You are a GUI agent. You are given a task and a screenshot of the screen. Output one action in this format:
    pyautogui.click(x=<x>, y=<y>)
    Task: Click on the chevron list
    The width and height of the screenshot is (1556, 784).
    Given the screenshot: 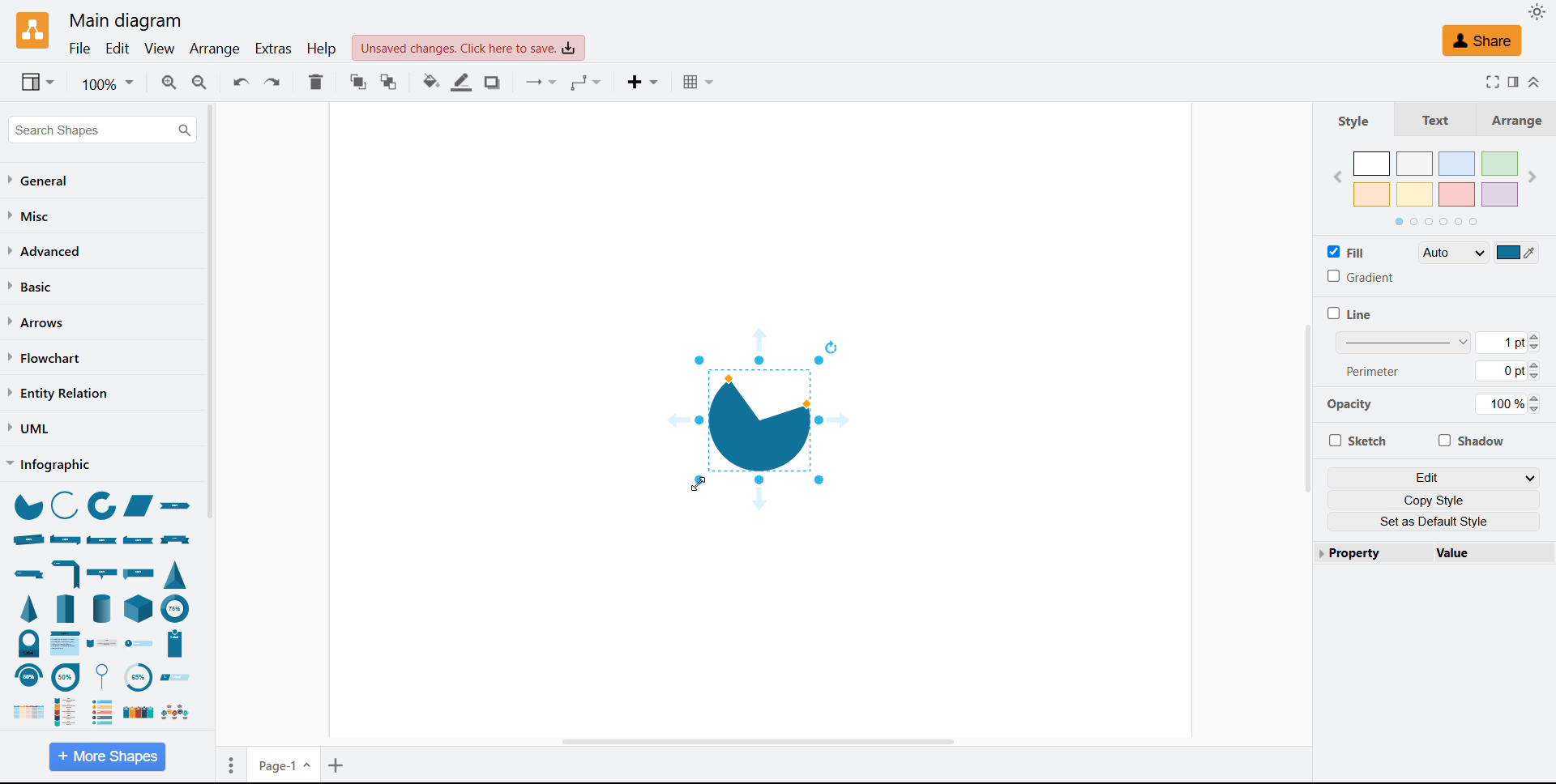 What is the action you would take?
    pyautogui.click(x=24, y=713)
    